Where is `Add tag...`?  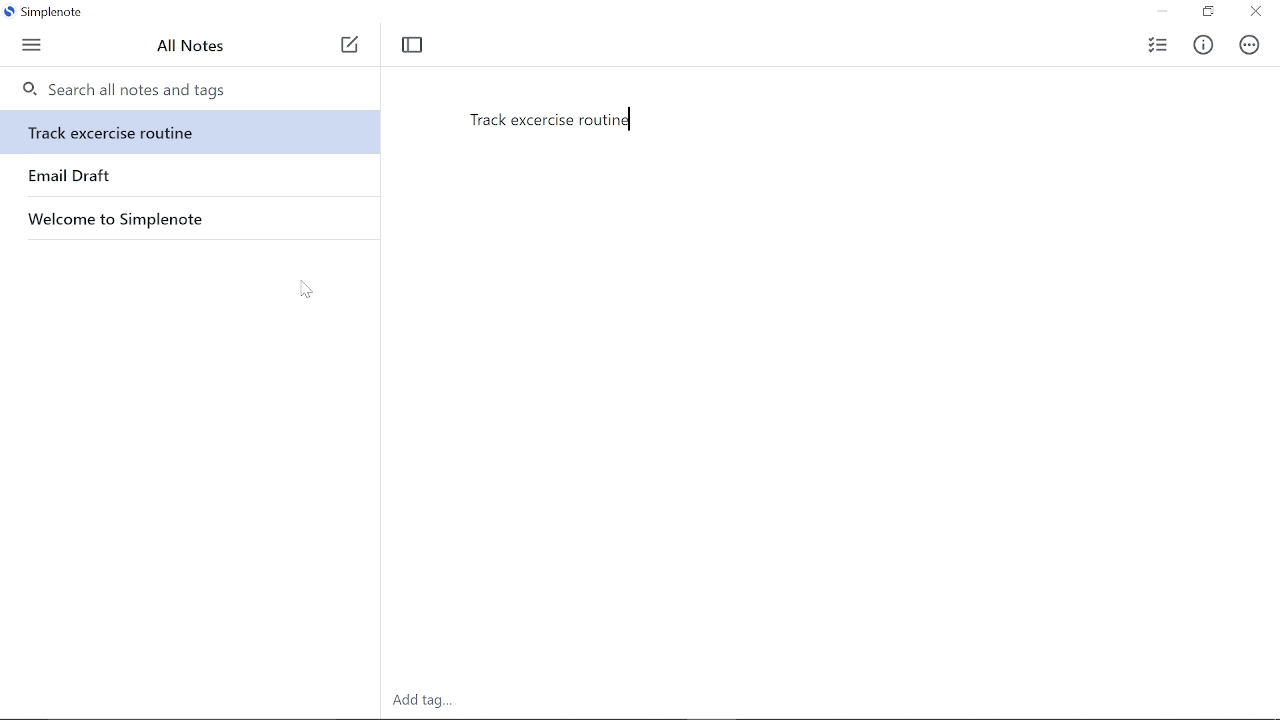 Add tag... is located at coordinates (423, 701).